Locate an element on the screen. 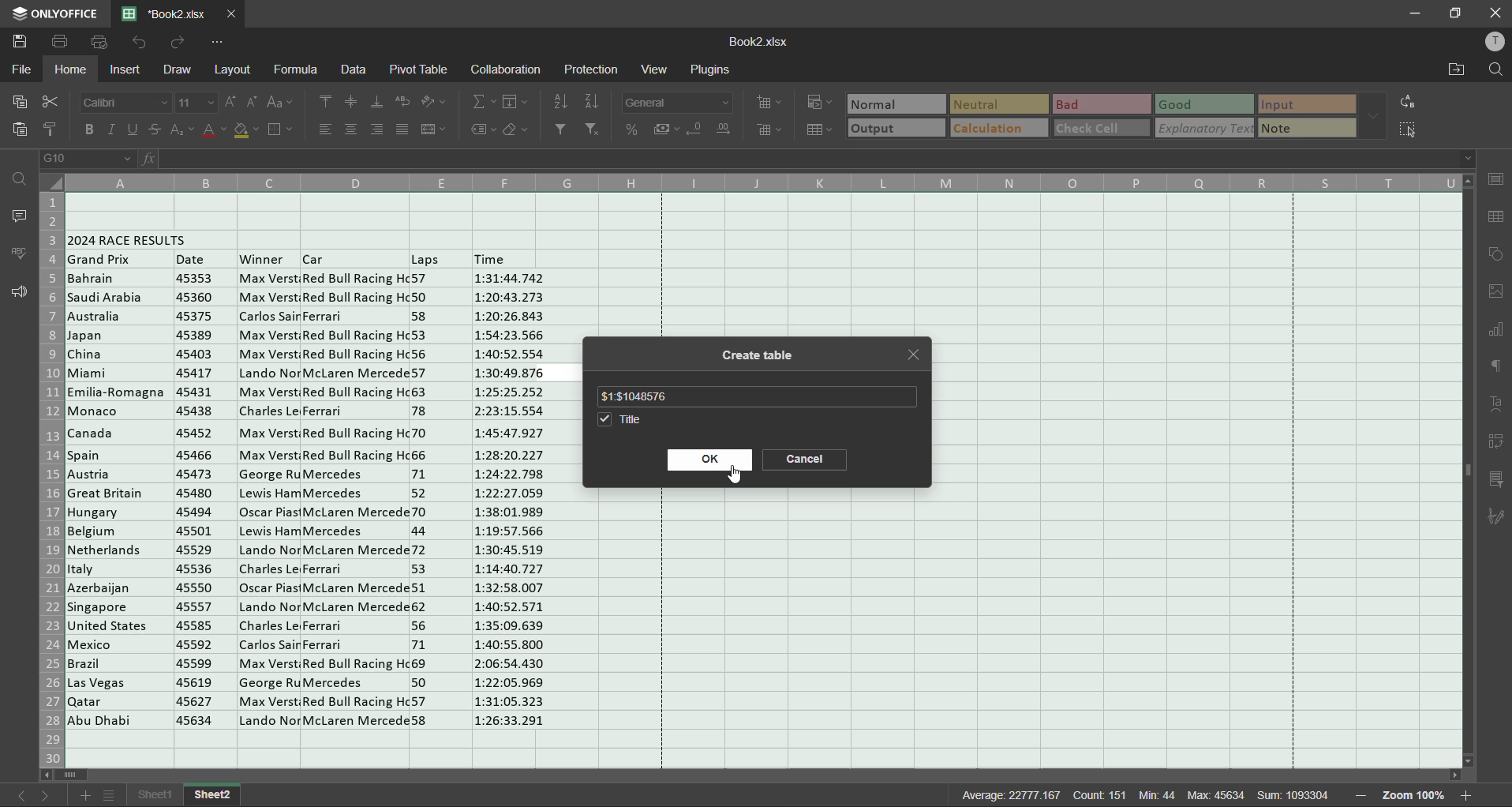  more options is located at coordinates (1373, 116).